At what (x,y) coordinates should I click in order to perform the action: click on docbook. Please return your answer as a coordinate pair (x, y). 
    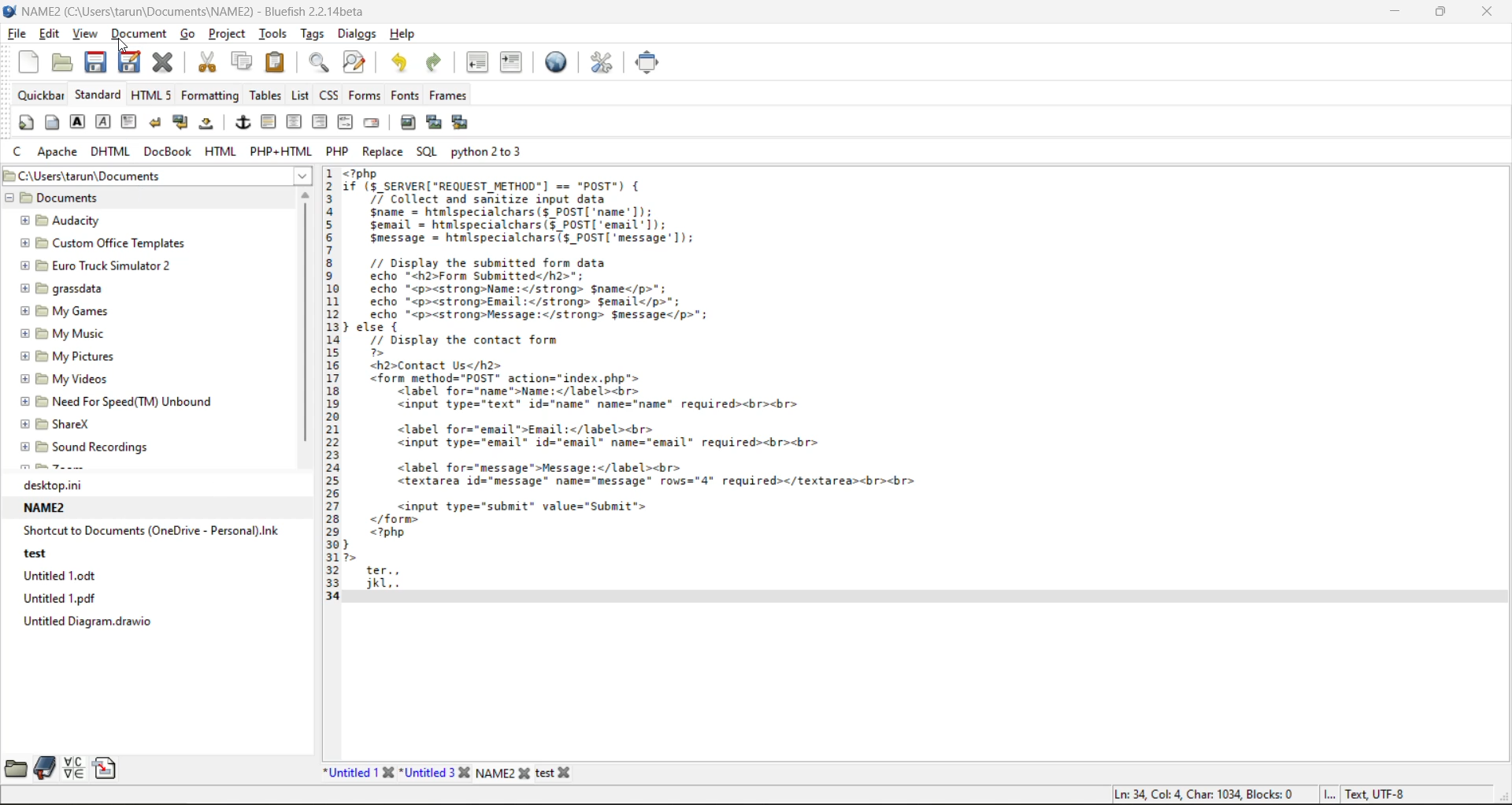
    Looking at the image, I should click on (169, 152).